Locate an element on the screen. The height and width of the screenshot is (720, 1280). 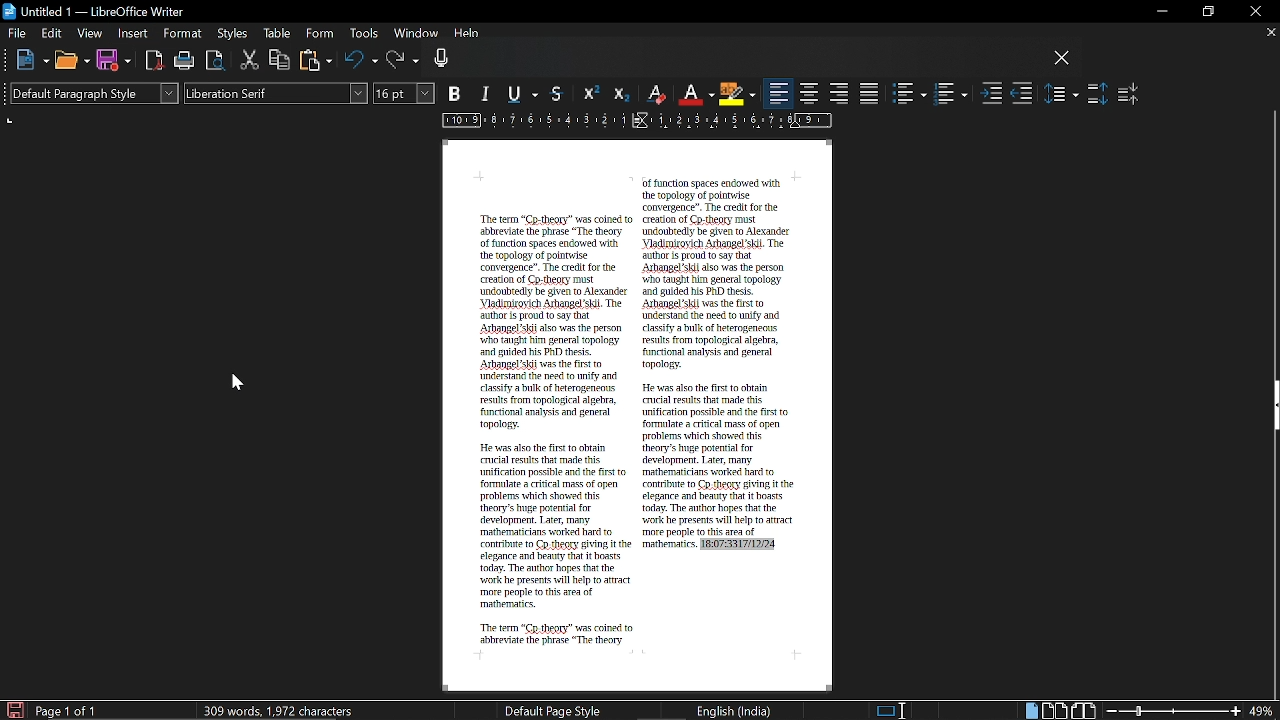
Center is located at coordinates (810, 93).